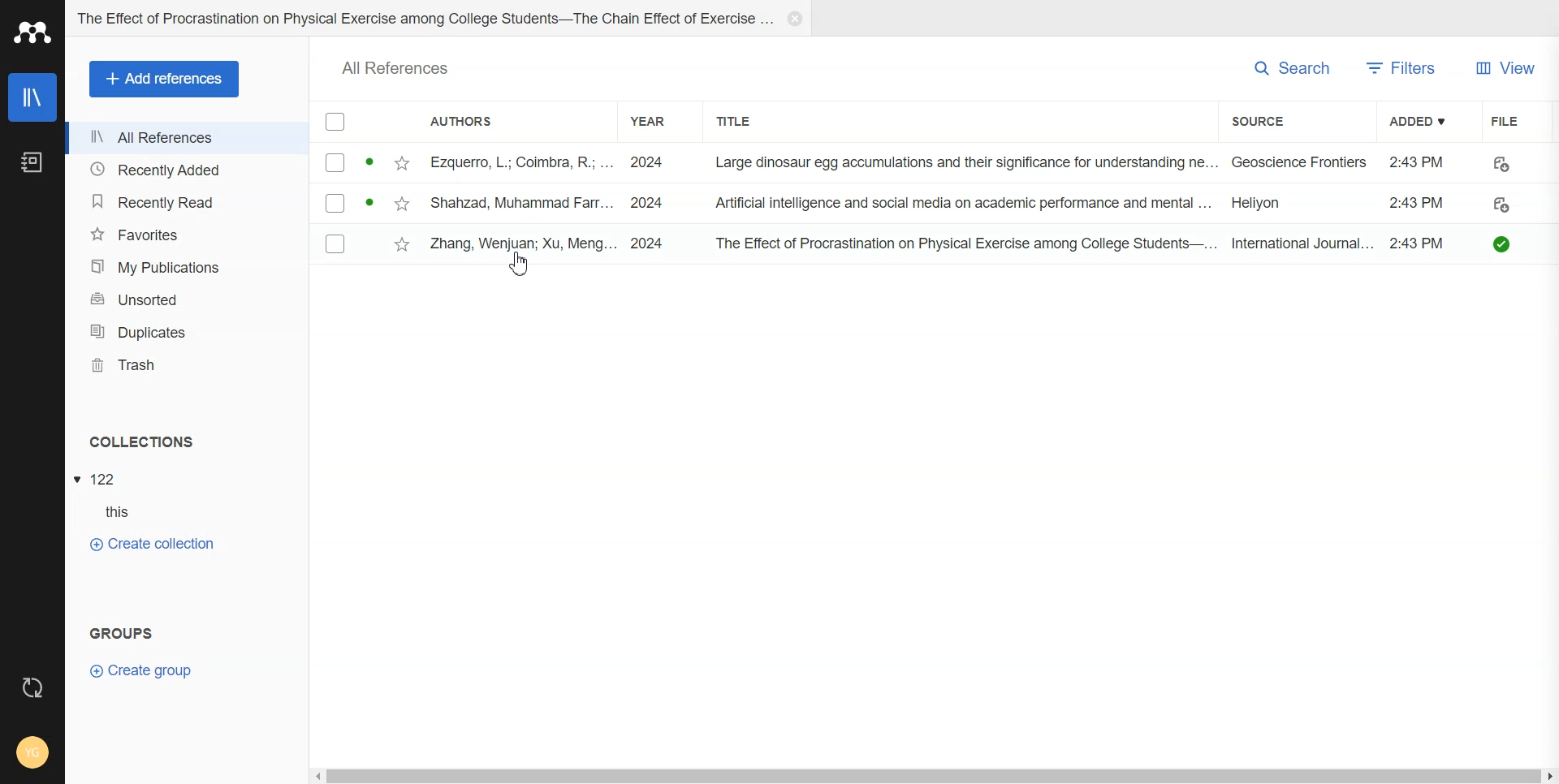 Image resolution: width=1559 pixels, height=784 pixels. What do you see at coordinates (192, 331) in the screenshot?
I see `Duplicates` at bounding box center [192, 331].